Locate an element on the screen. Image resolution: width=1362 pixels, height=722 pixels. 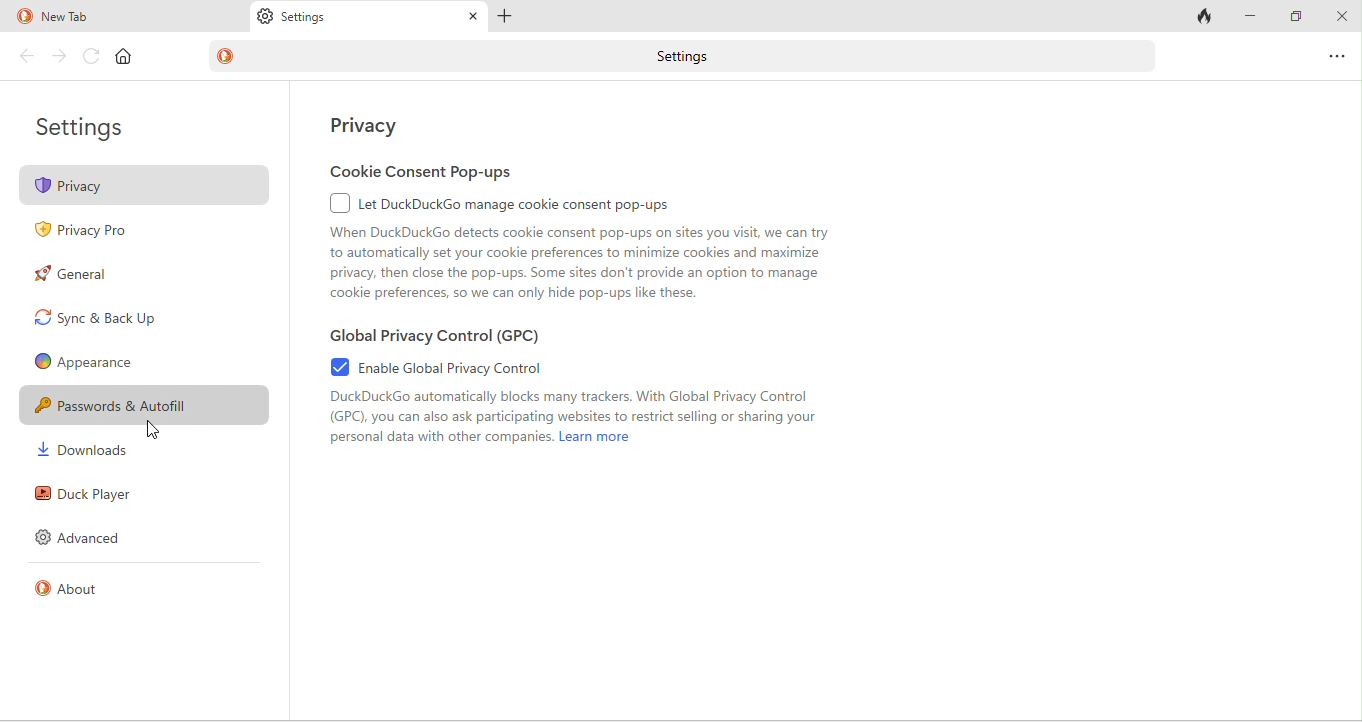
personal data with other companies is located at coordinates (433, 441).